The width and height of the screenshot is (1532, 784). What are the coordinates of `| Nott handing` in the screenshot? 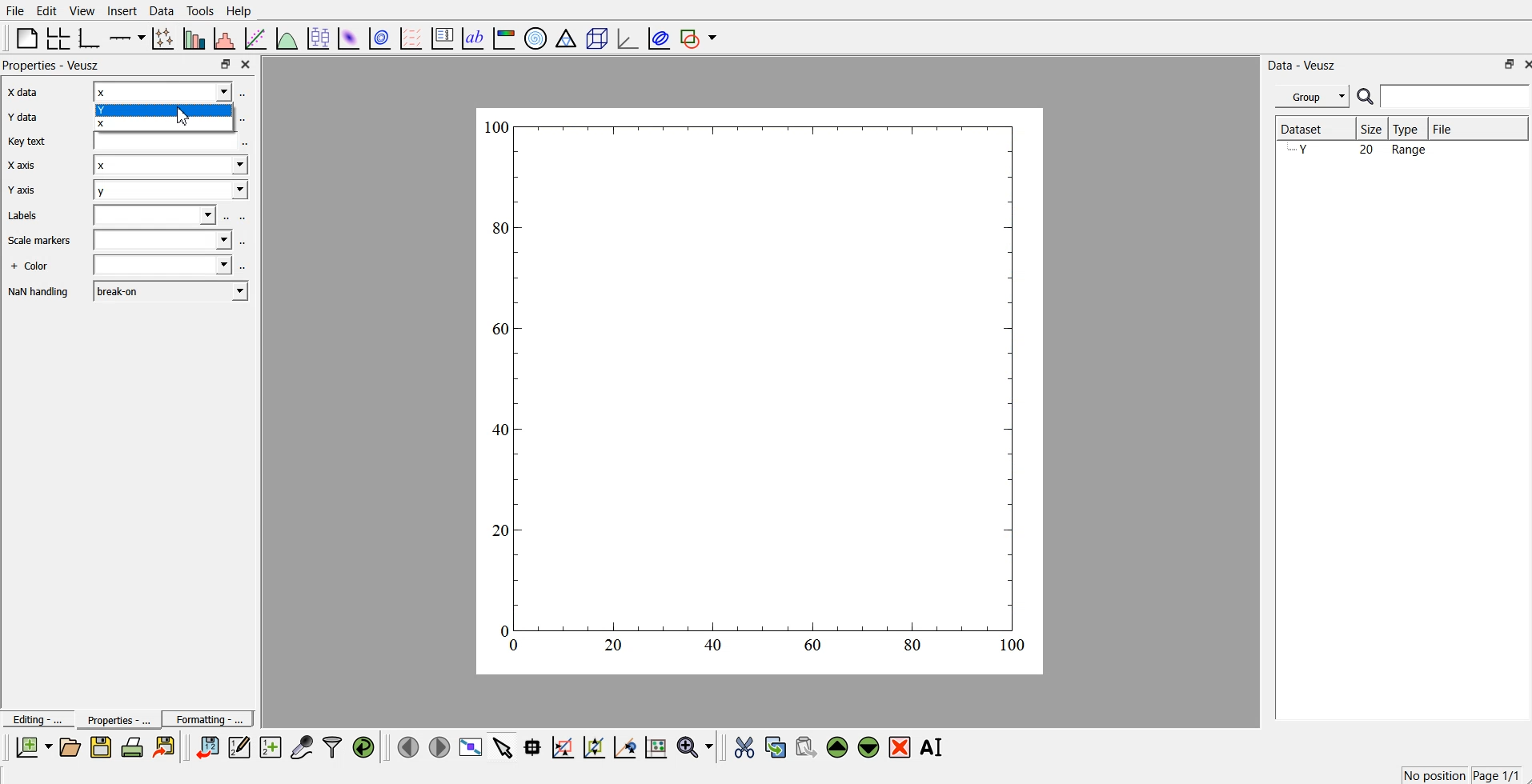 It's located at (41, 293).